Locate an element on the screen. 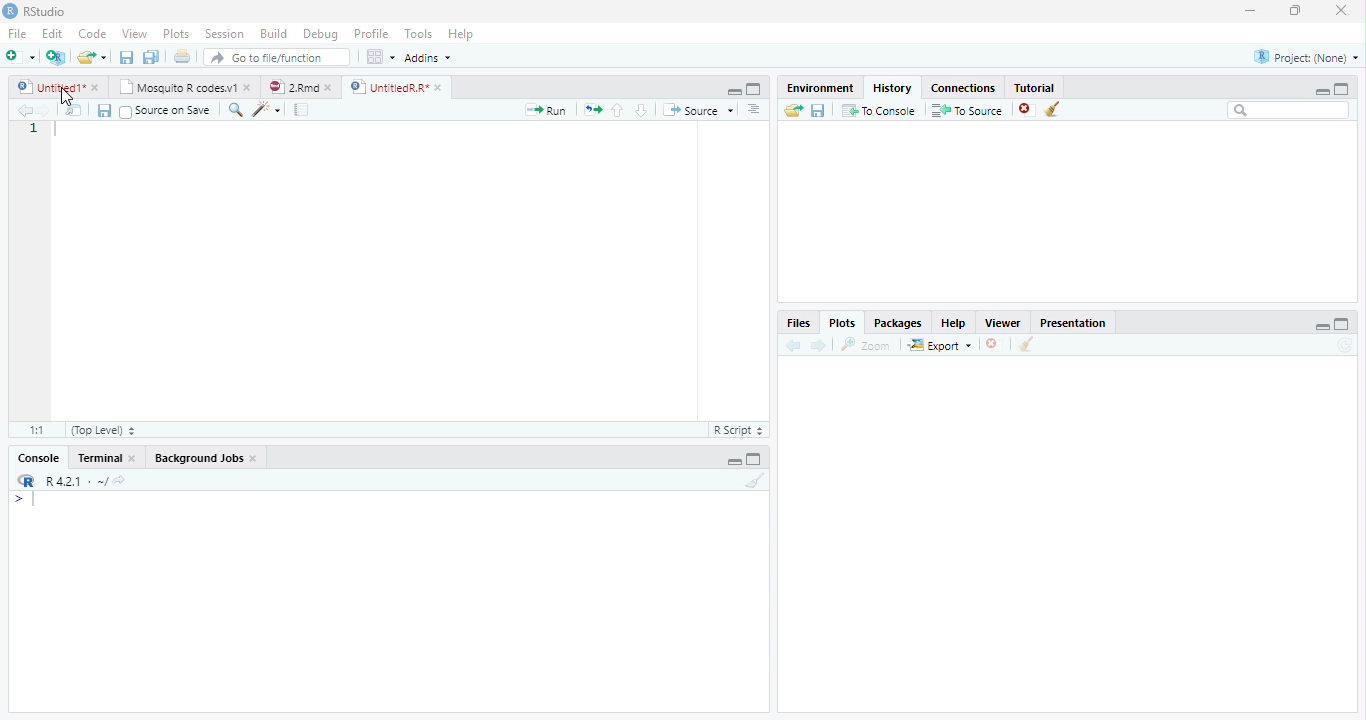 The width and height of the screenshot is (1366, 720). Back is located at coordinates (791, 346).